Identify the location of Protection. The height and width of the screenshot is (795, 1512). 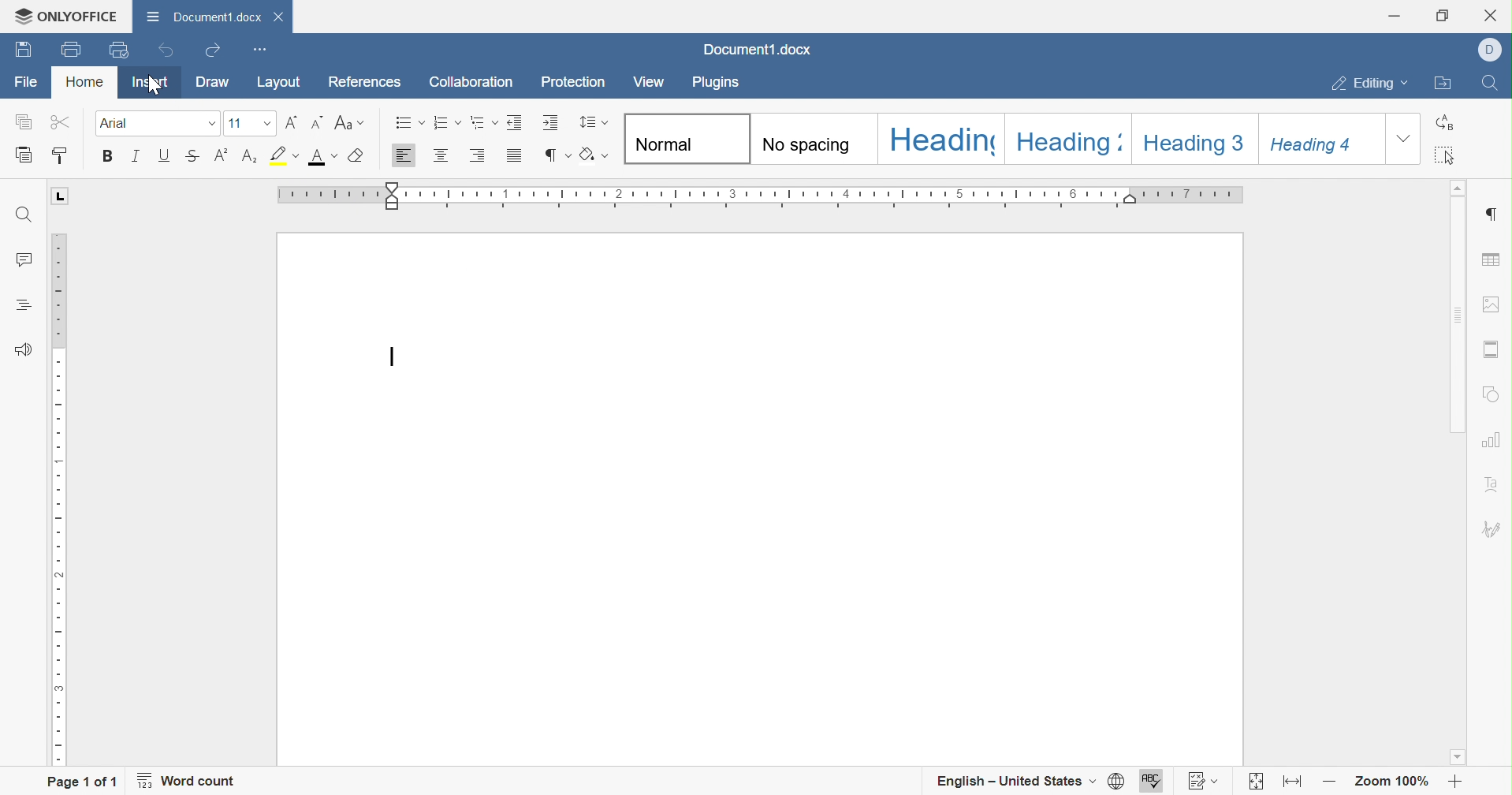
(572, 80).